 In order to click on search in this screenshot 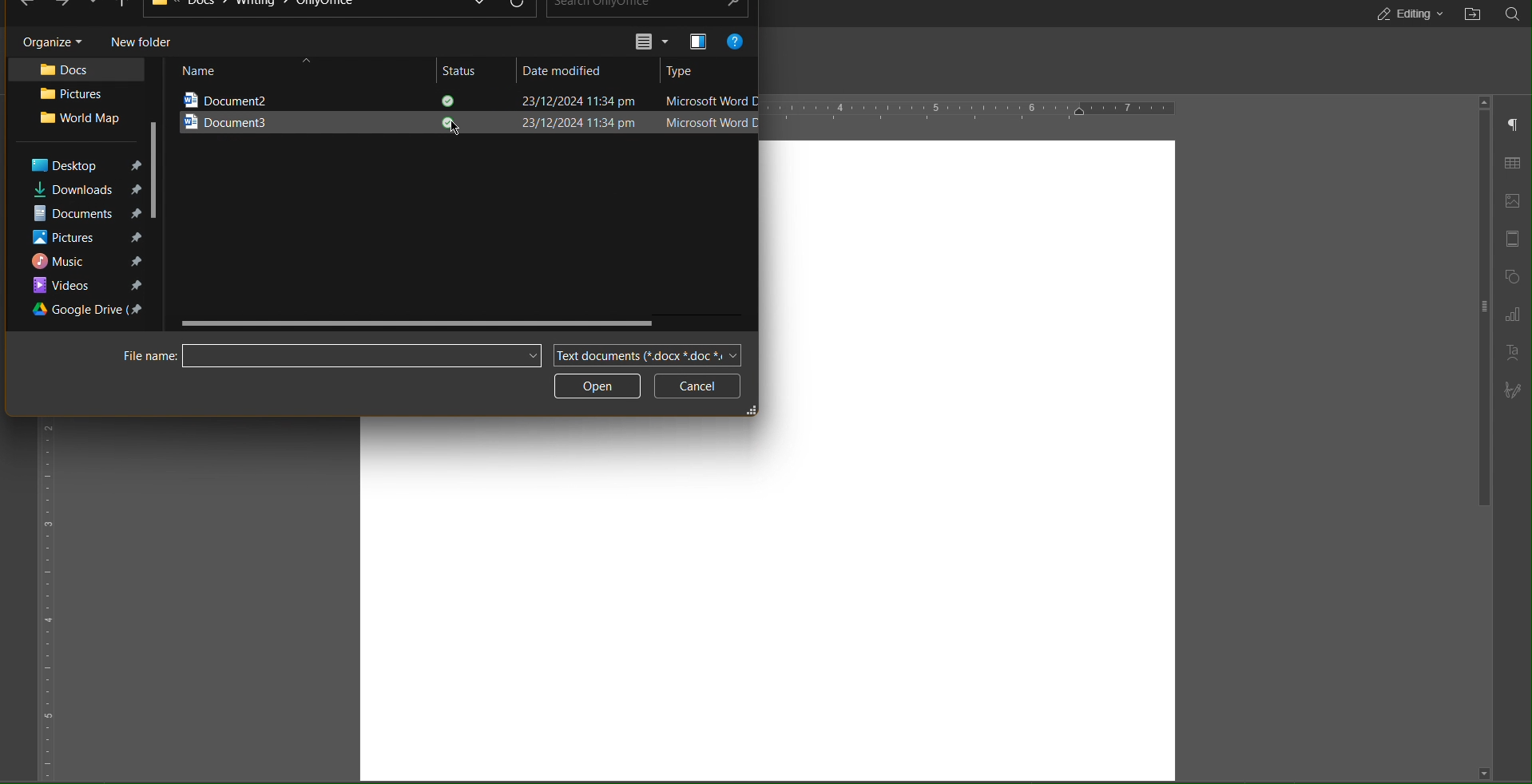, I will do `click(650, 9)`.